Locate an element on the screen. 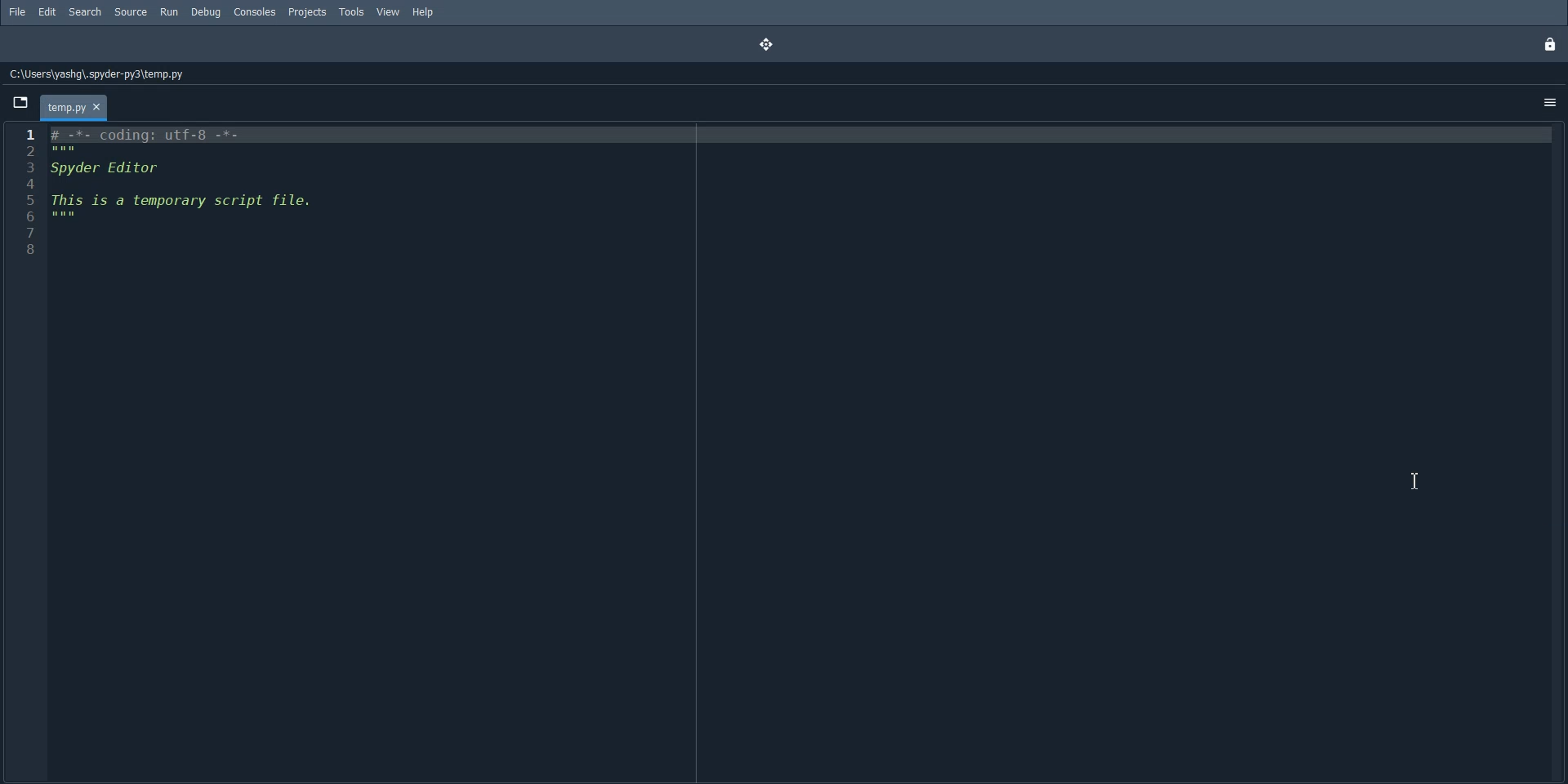  File is located at coordinates (18, 11).